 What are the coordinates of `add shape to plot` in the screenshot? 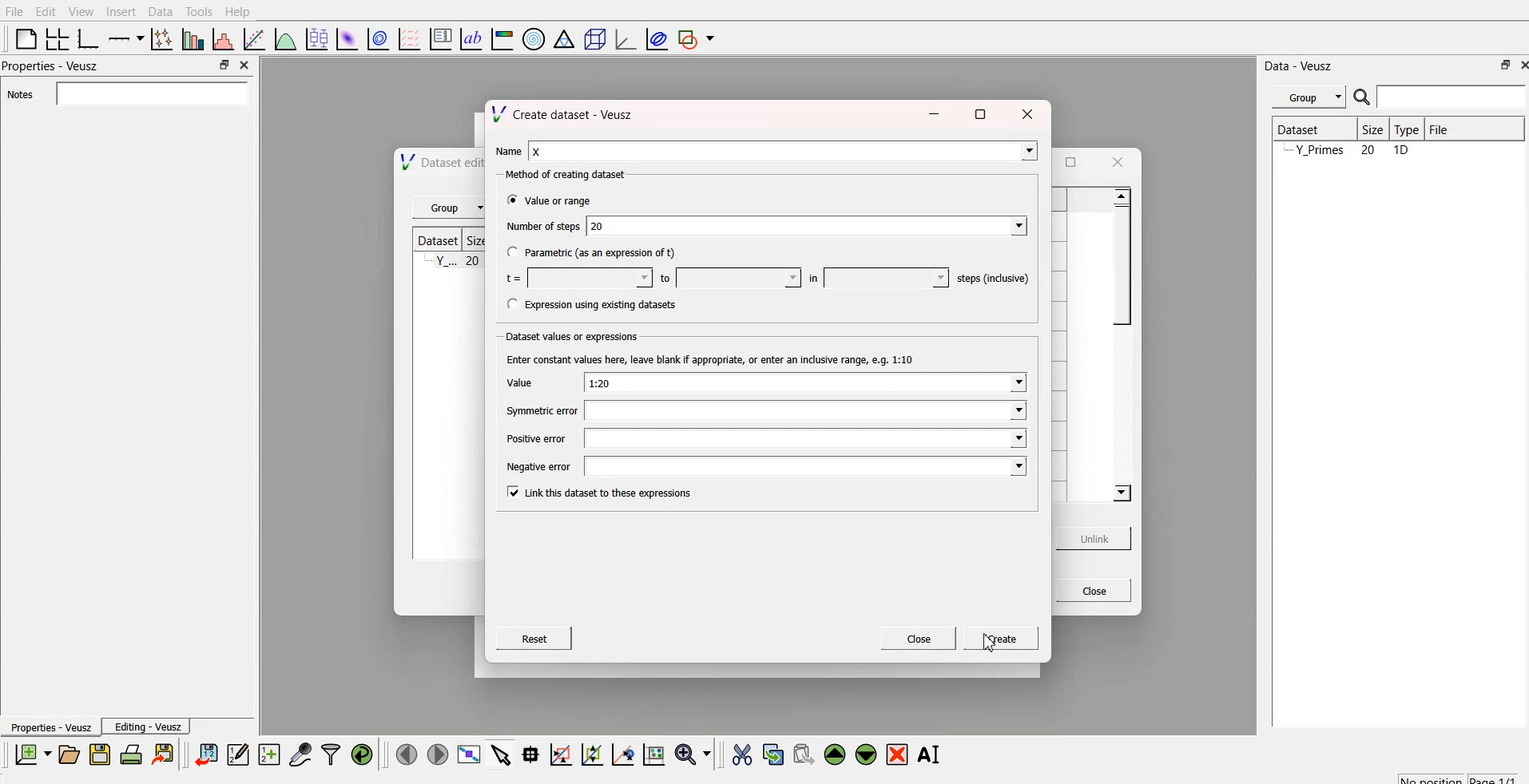 It's located at (701, 37).